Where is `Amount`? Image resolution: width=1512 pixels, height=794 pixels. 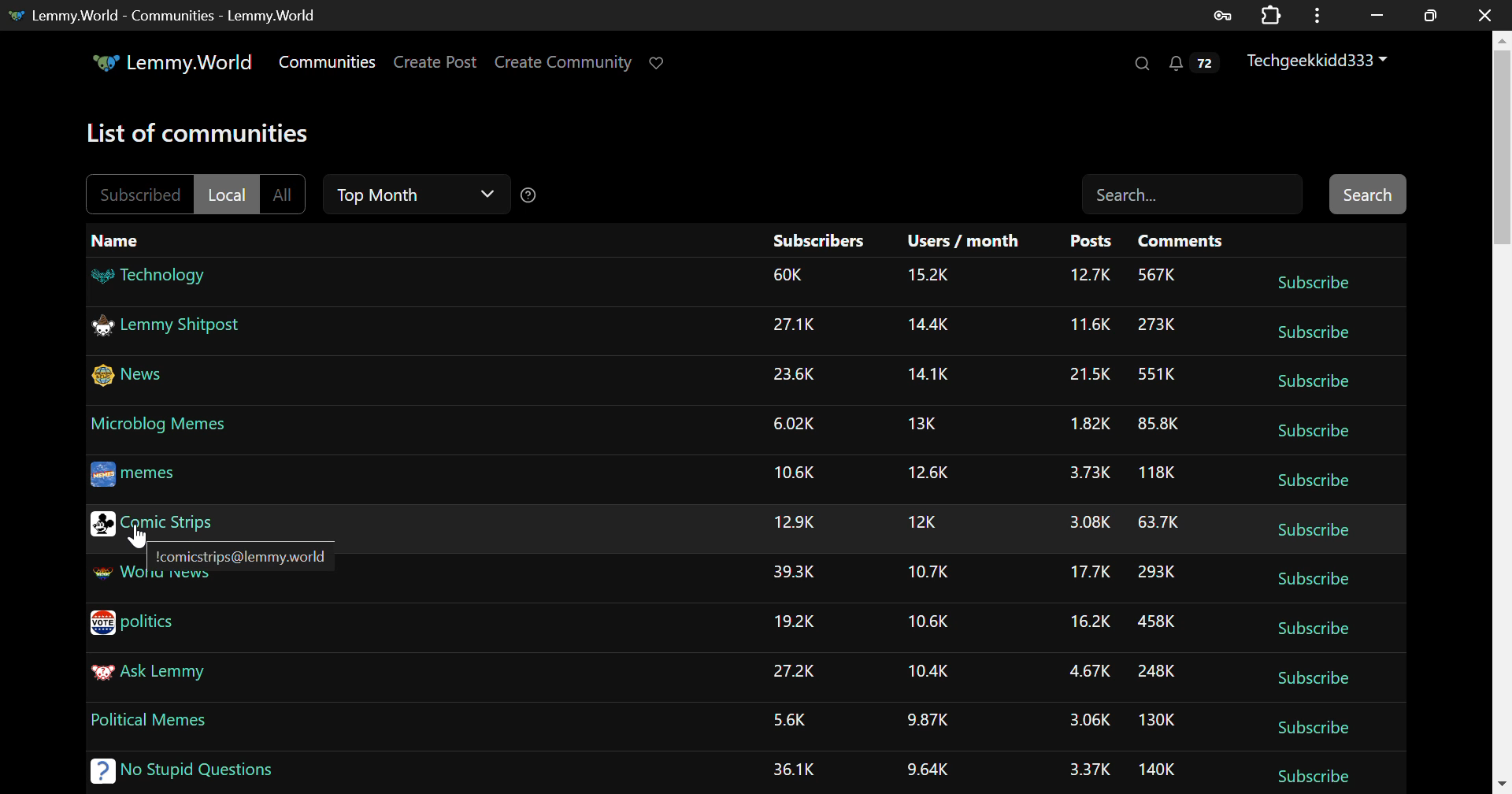 Amount is located at coordinates (929, 722).